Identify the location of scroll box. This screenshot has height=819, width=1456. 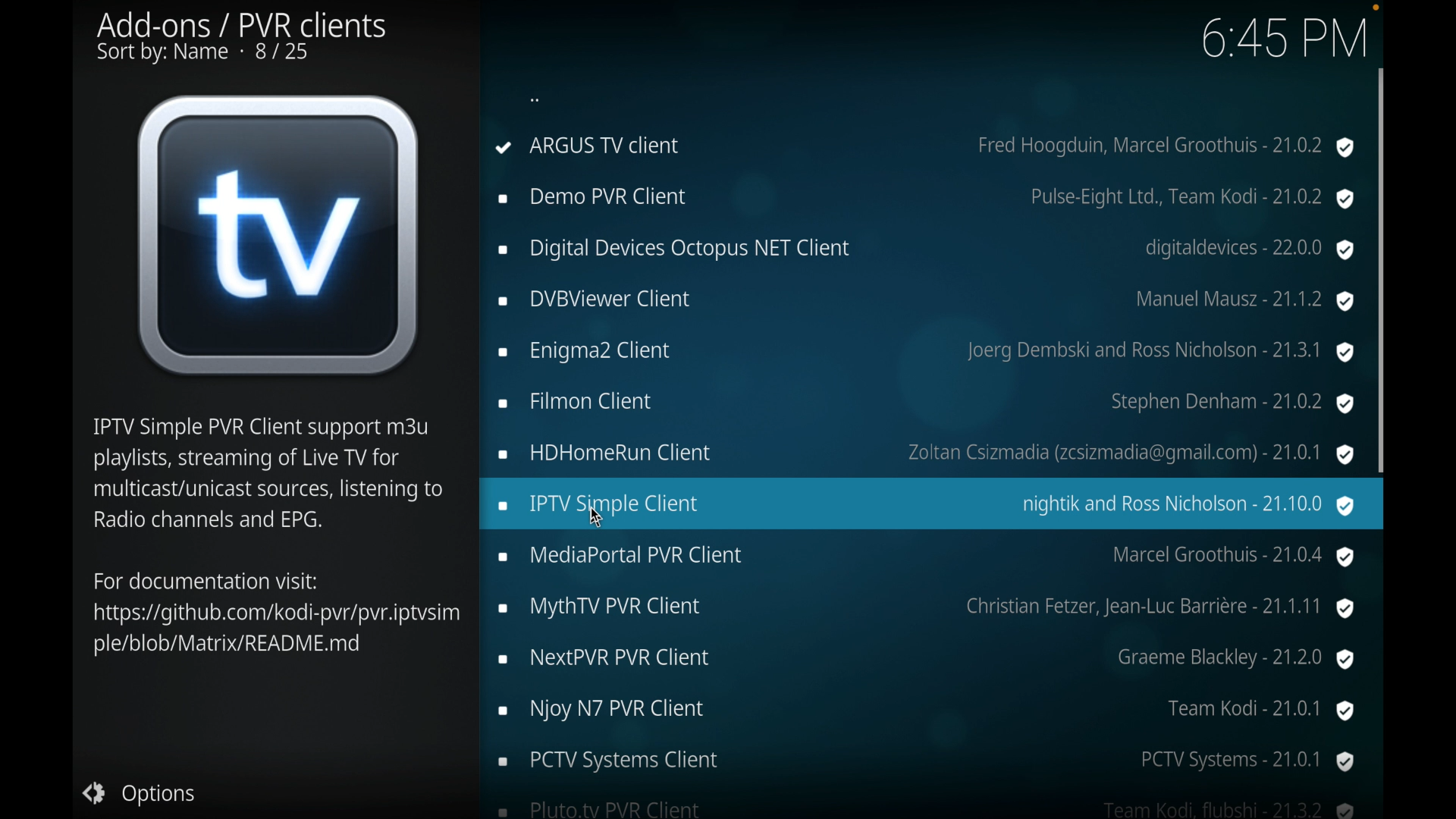
(1382, 272).